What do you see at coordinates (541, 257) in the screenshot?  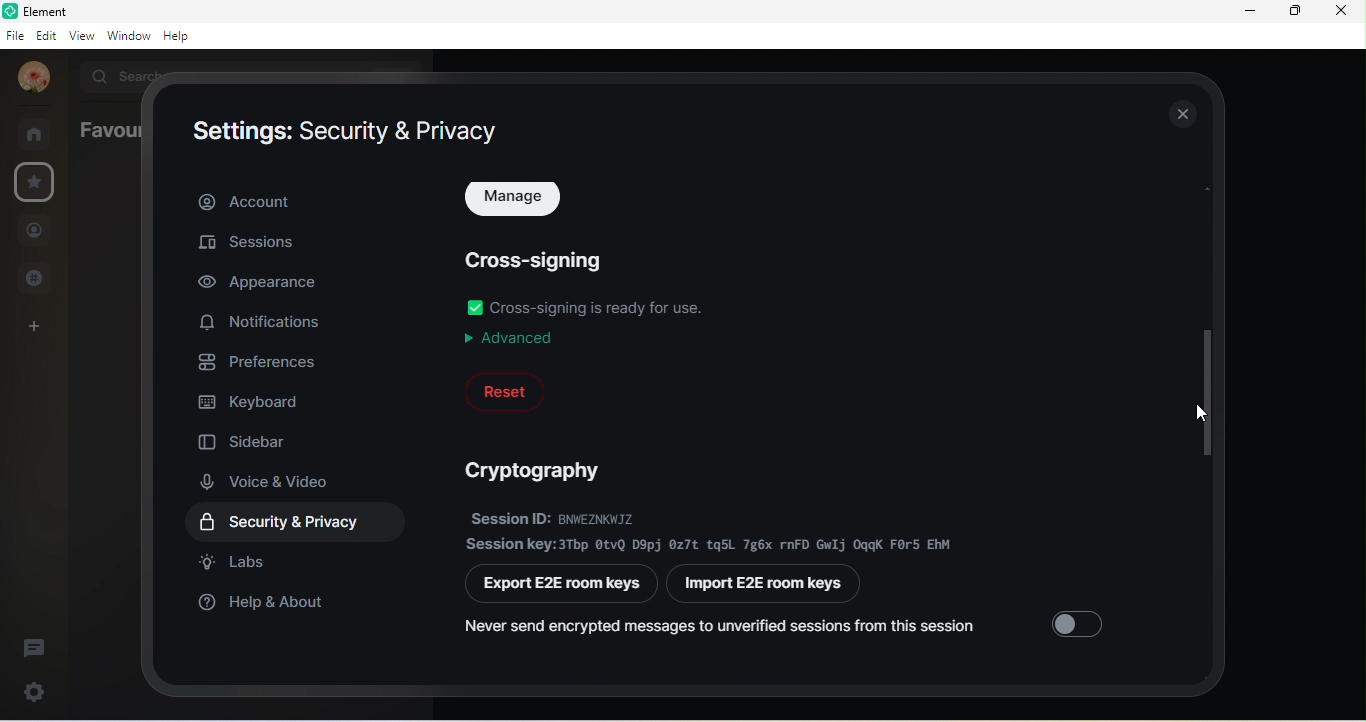 I see `cross-signing` at bounding box center [541, 257].